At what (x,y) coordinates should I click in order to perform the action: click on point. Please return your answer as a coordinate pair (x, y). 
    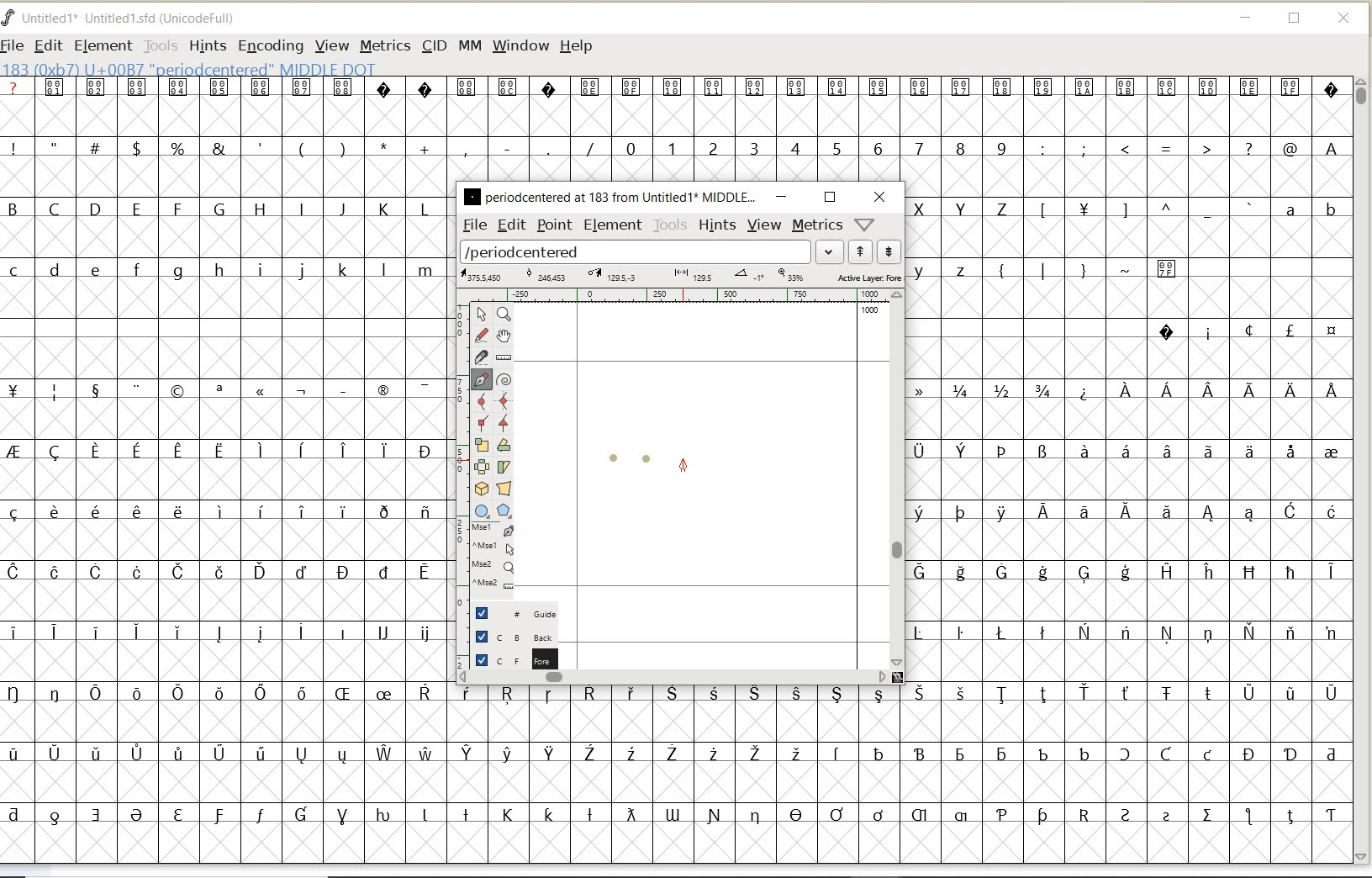
    Looking at the image, I should click on (554, 226).